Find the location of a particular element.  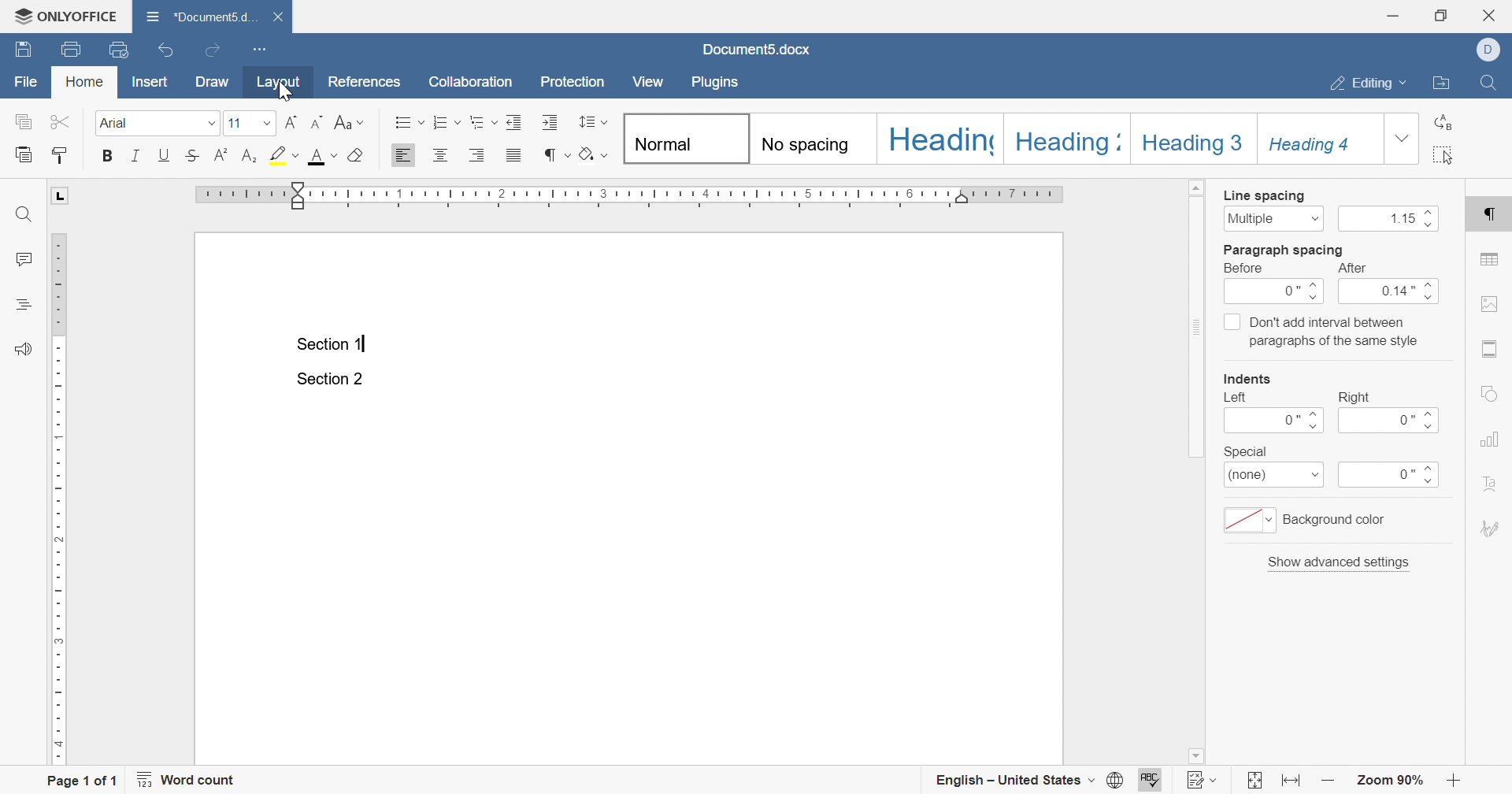

decrease indent is located at coordinates (317, 121).